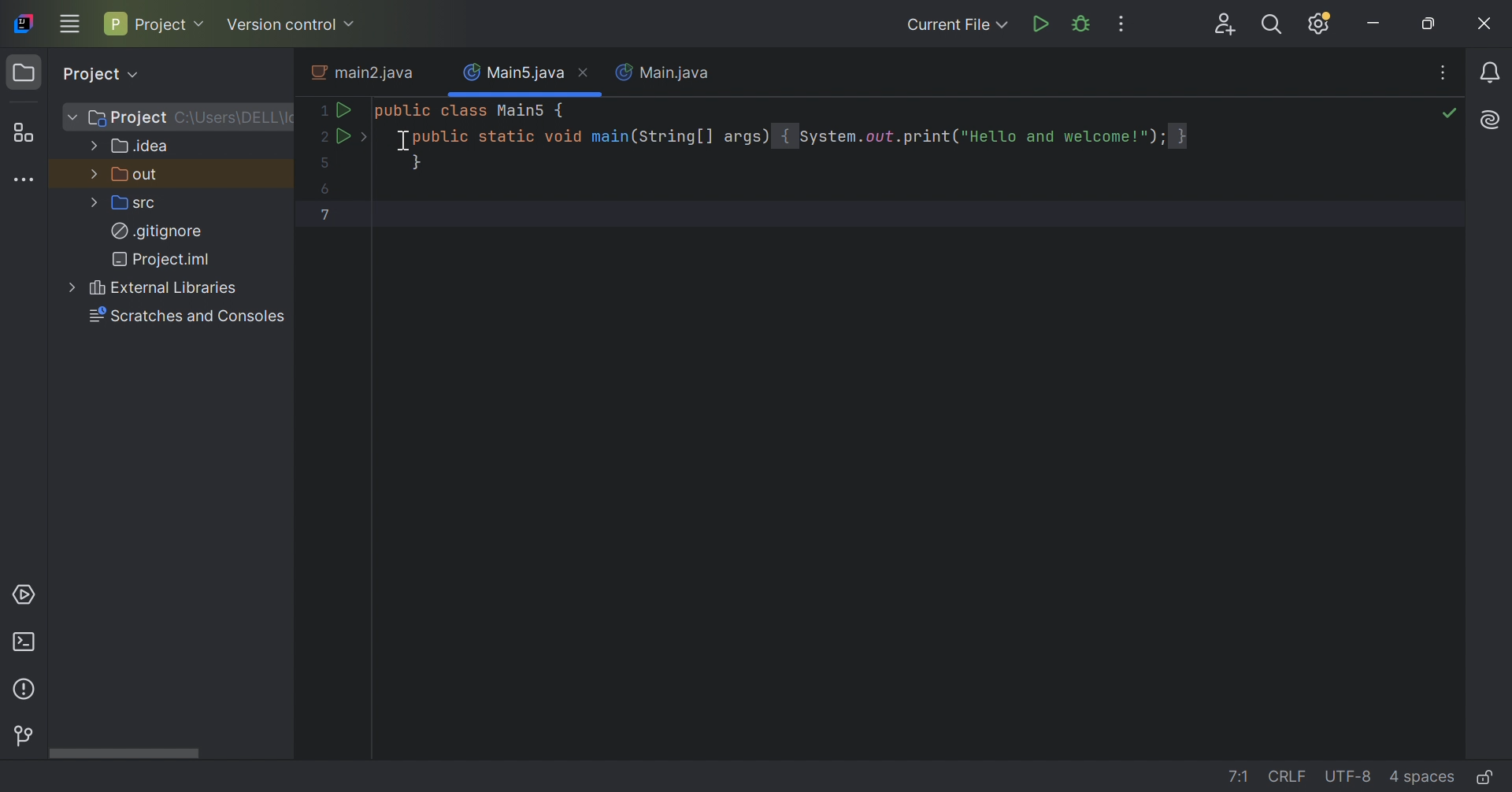 The image size is (1512, 792). I want to click on Scroll bar, so click(122, 754).